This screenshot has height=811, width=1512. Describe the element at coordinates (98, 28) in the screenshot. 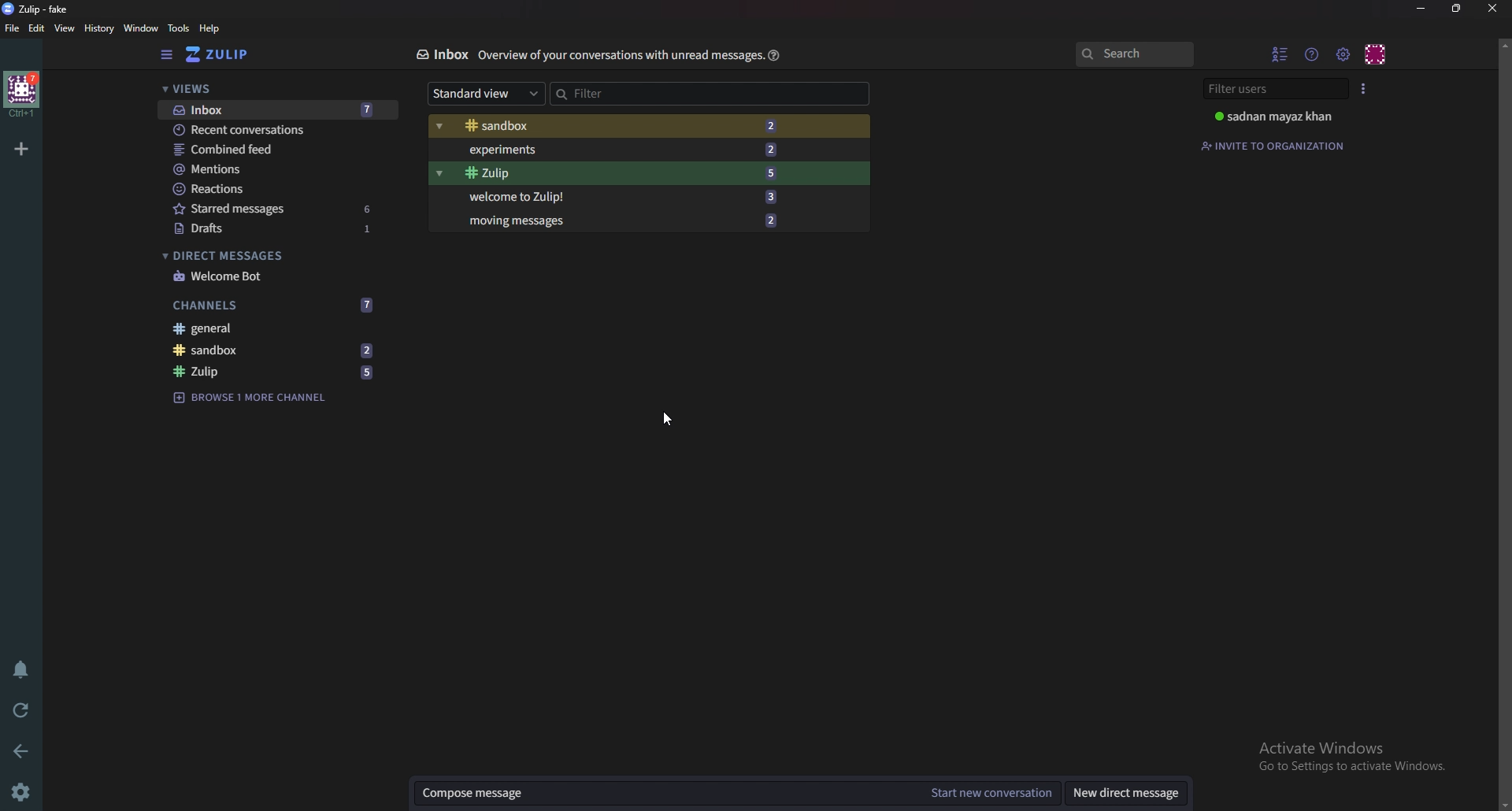

I see `History` at that location.